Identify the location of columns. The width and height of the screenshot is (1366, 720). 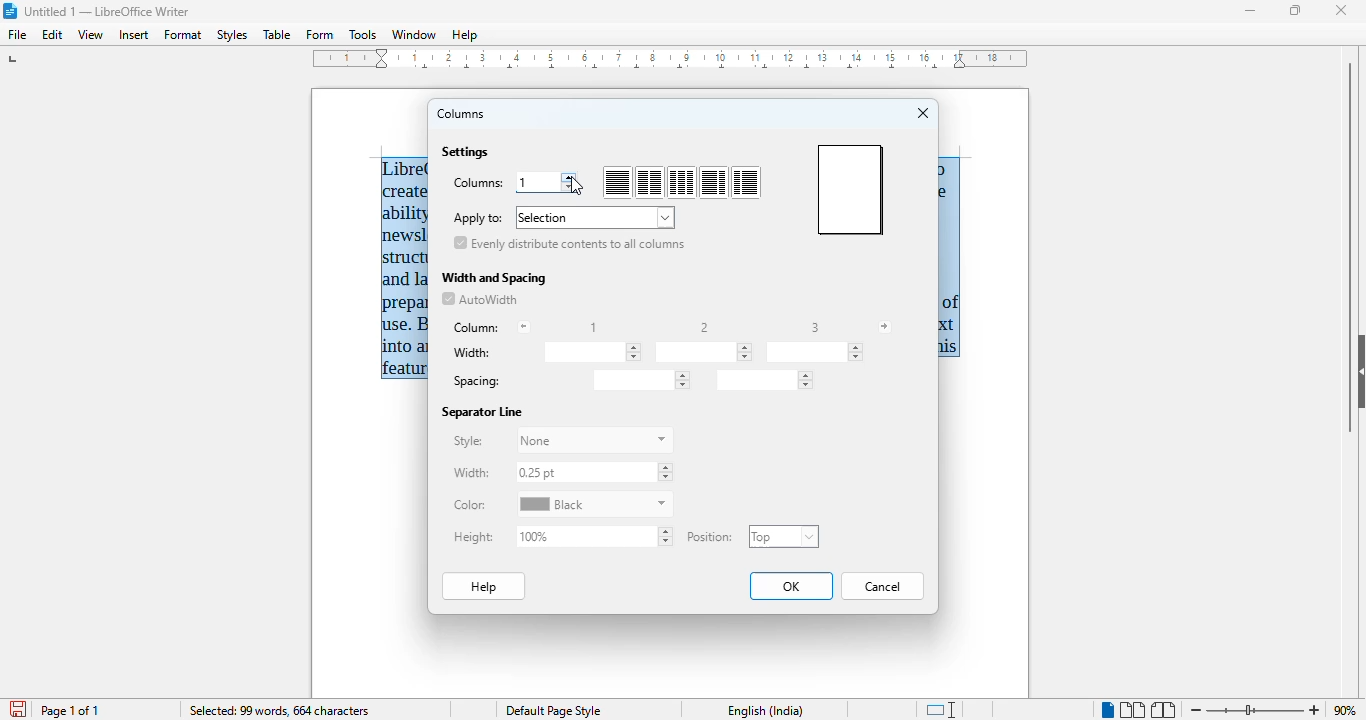
(462, 114).